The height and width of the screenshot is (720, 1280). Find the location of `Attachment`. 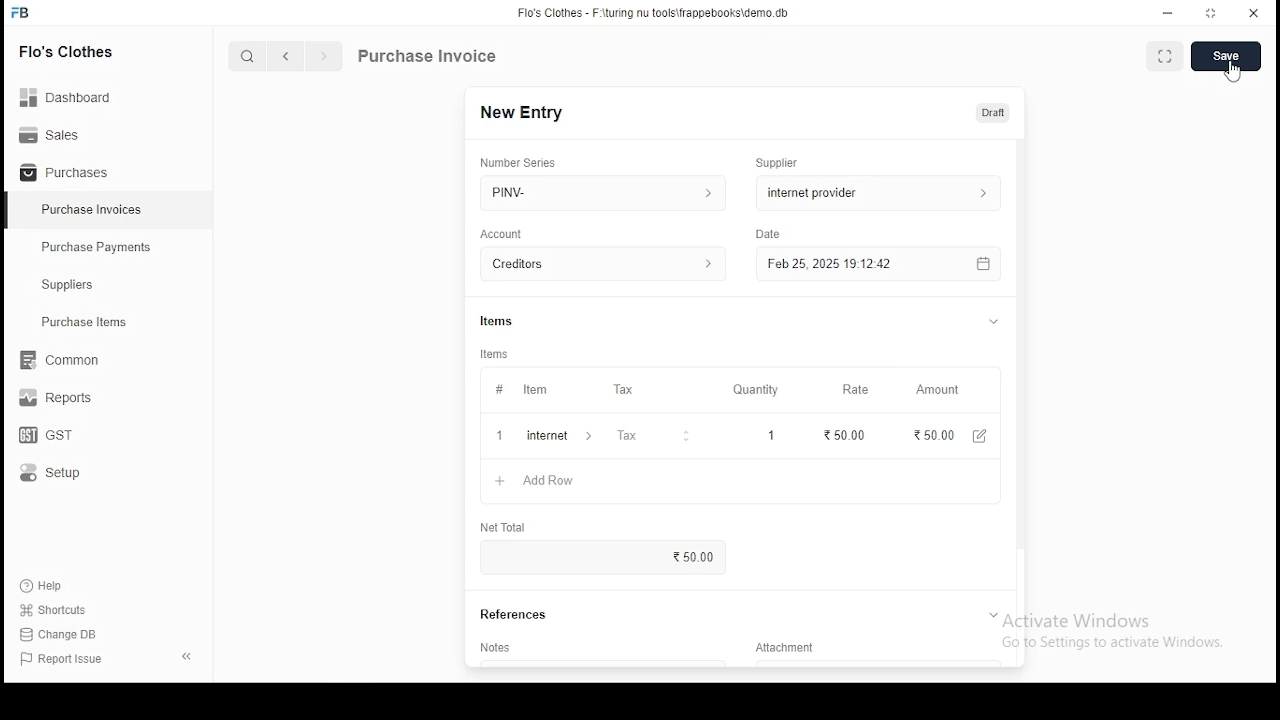

Attachment is located at coordinates (788, 651).